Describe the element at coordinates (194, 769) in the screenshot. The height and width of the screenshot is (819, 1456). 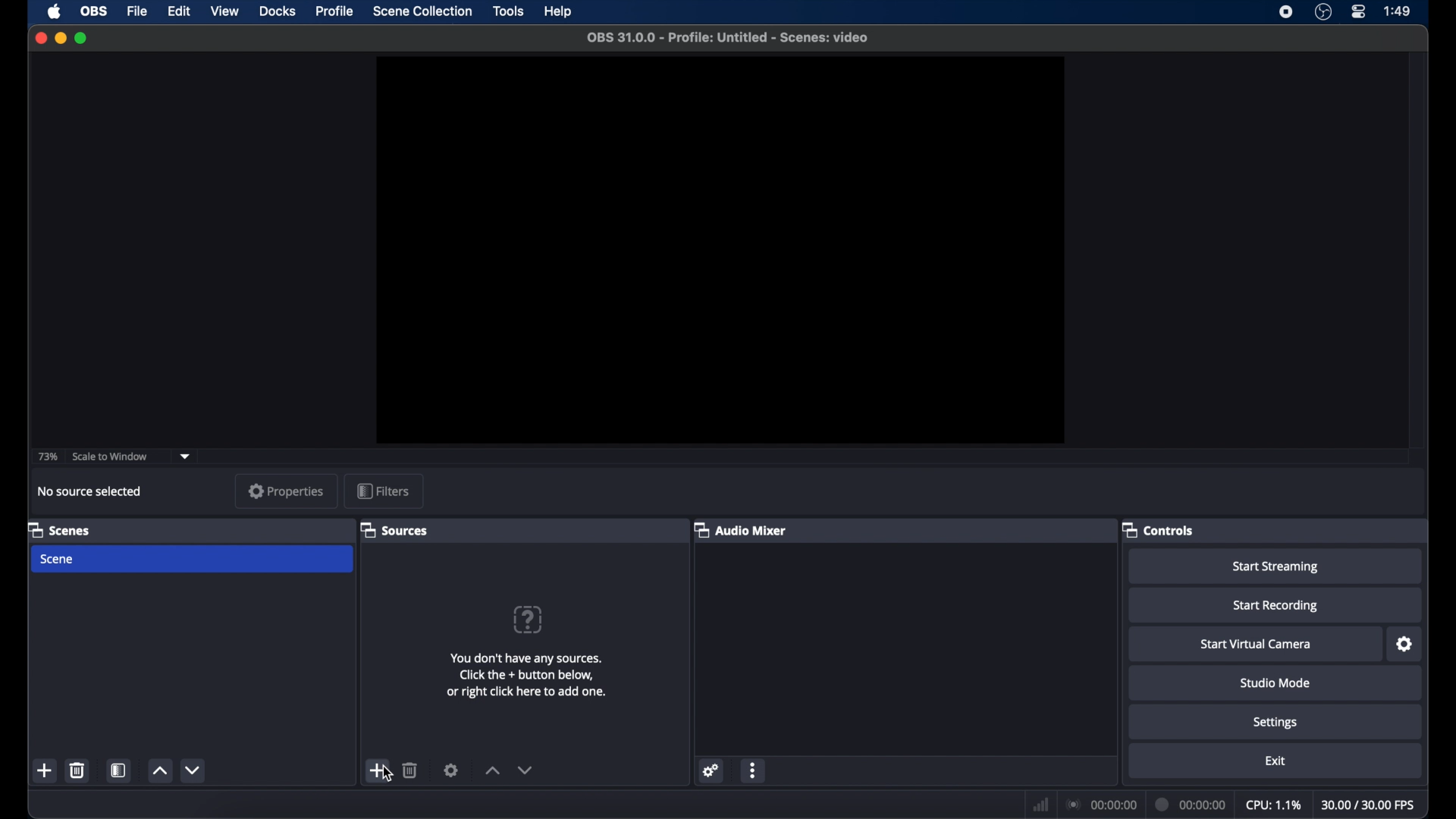
I see `decrement` at that location.